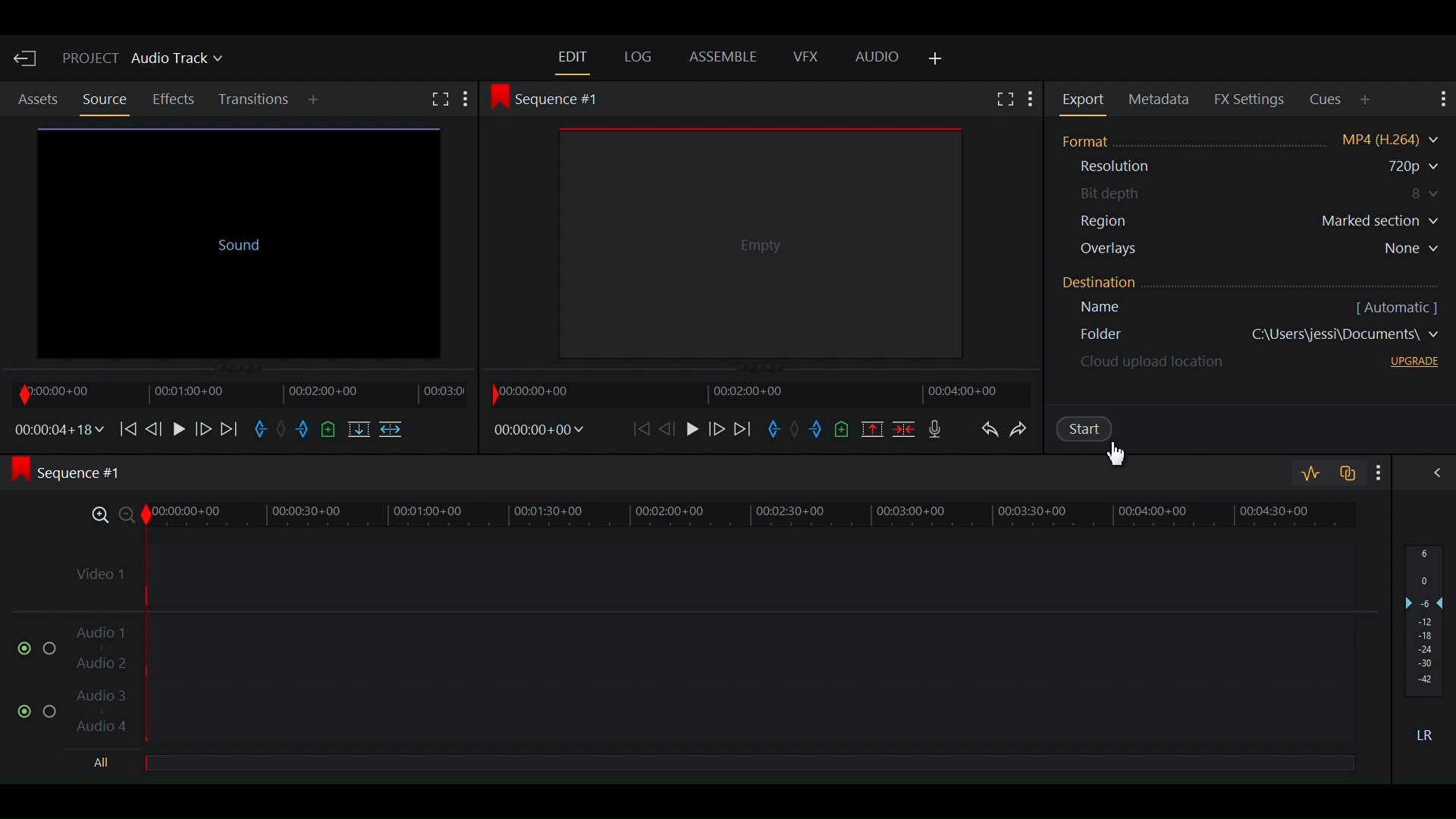 Image resolution: width=1456 pixels, height=819 pixels. I want to click on Assemble, so click(726, 58).